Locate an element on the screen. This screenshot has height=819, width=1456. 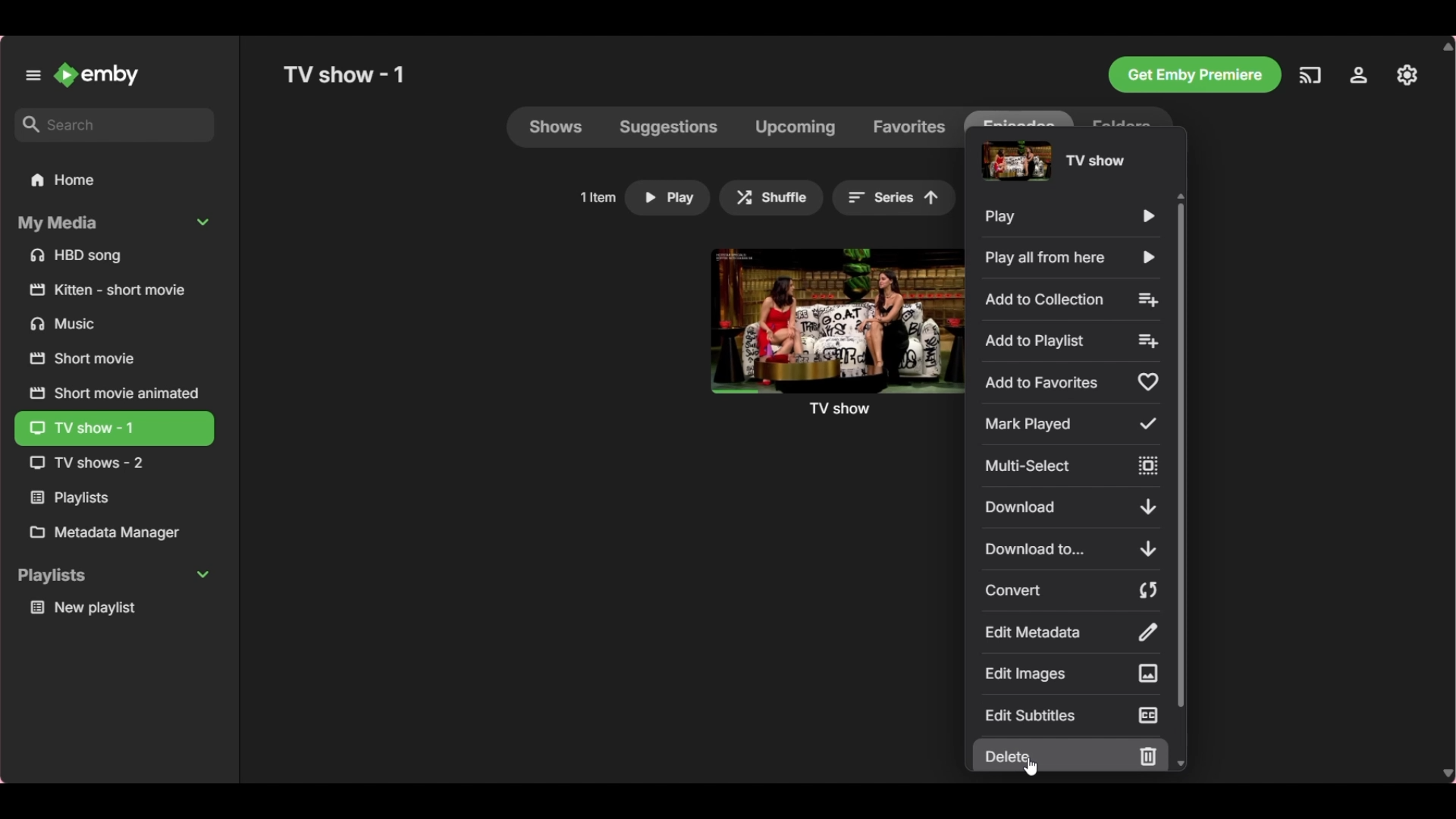
Edit images is located at coordinates (1071, 673).